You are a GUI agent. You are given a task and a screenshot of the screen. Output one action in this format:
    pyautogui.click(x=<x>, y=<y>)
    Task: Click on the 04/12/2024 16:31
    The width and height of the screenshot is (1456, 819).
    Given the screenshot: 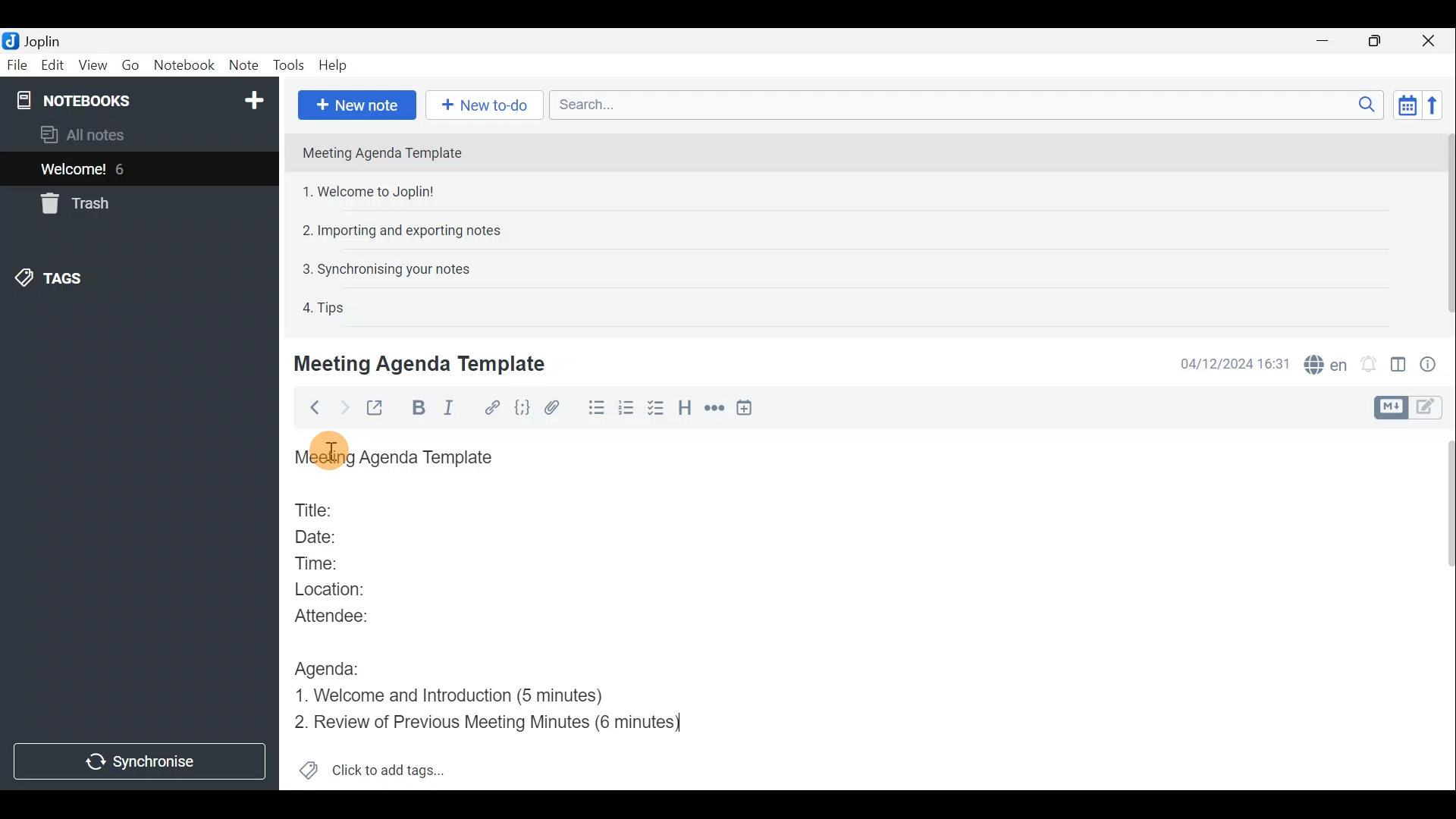 What is the action you would take?
    pyautogui.click(x=1228, y=362)
    